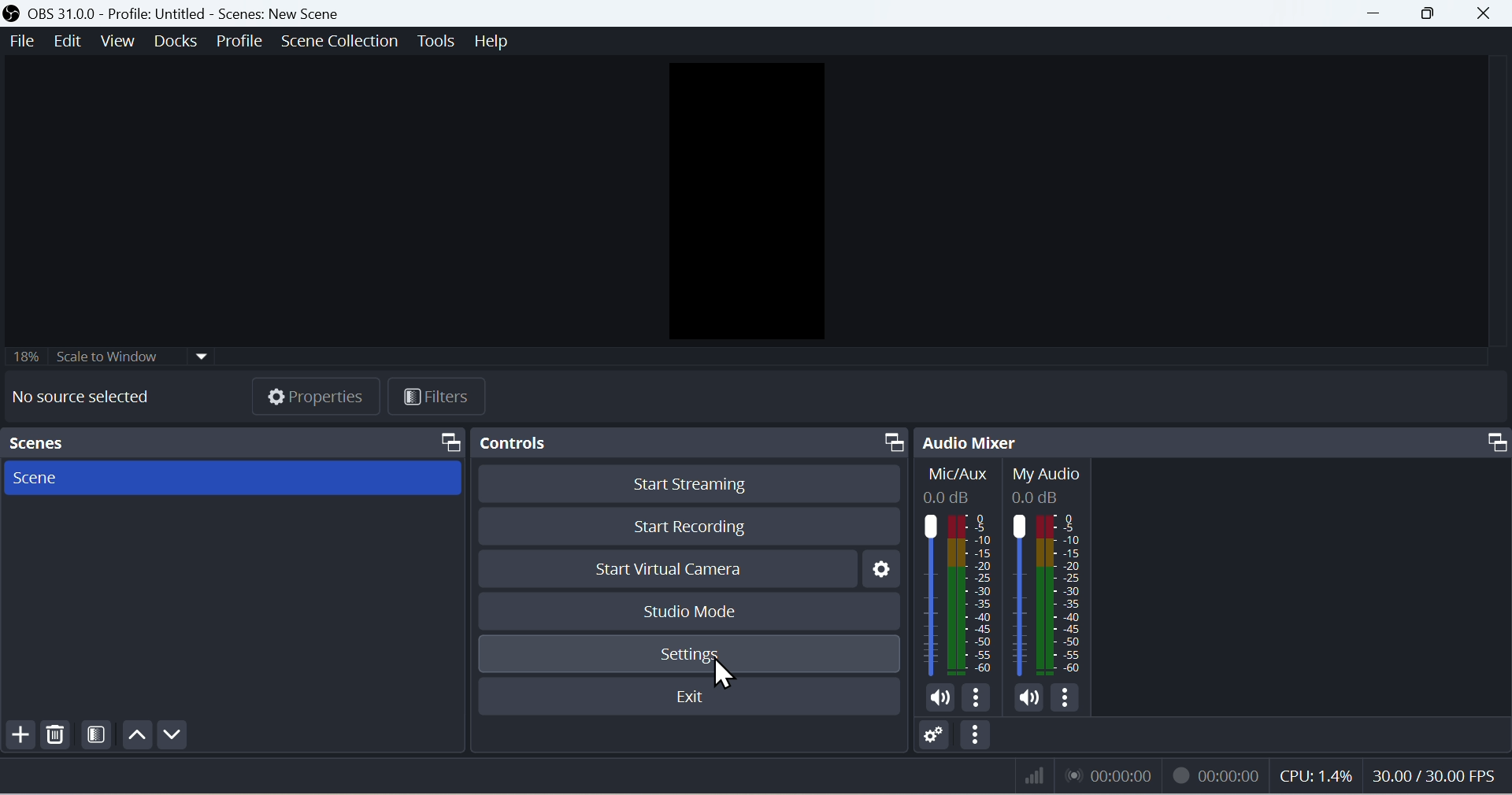 This screenshot has height=795, width=1512. What do you see at coordinates (1436, 14) in the screenshot?
I see `Maximise` at bounding box center [1436, 14].